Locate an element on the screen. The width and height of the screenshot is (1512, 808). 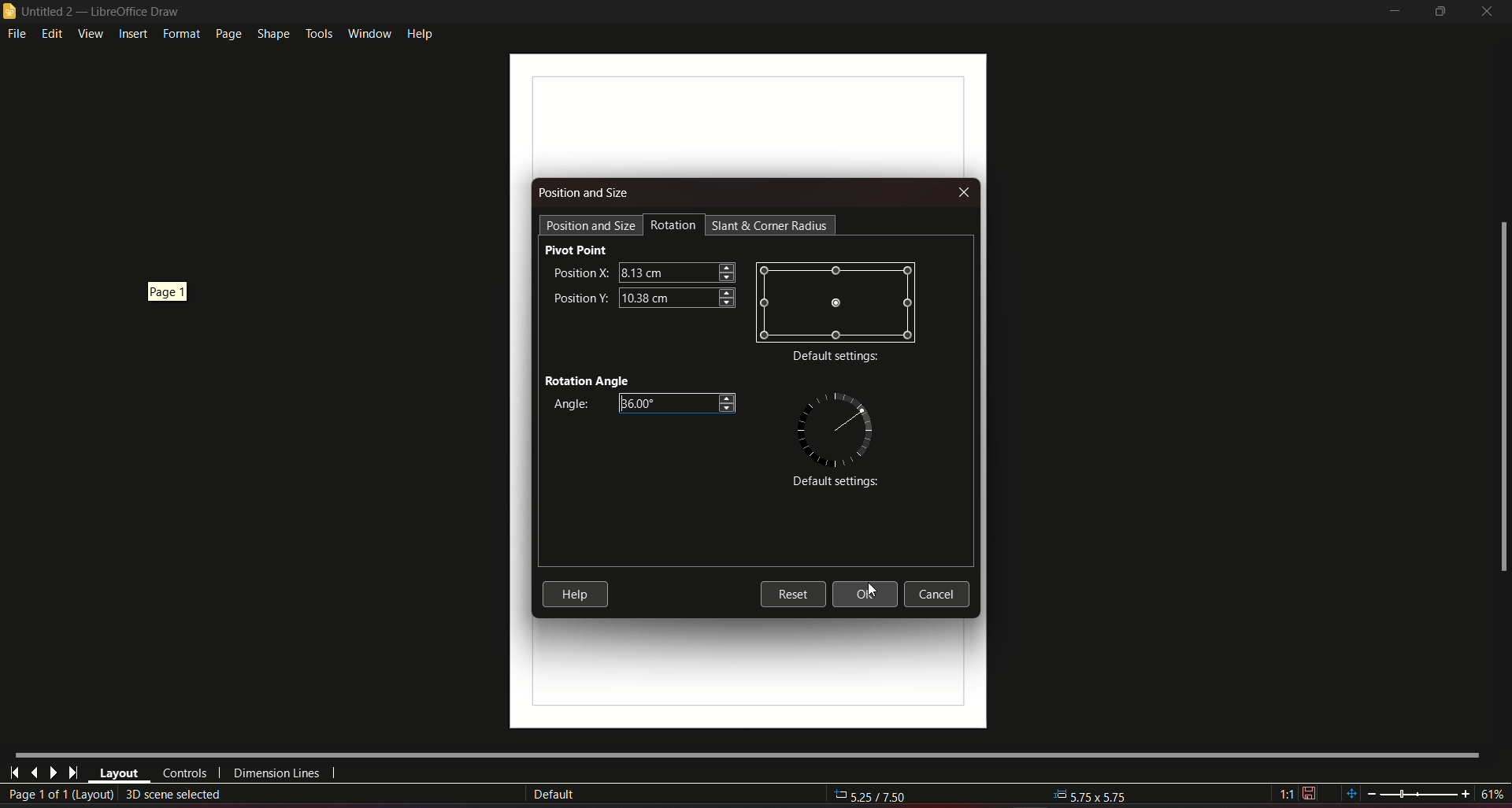
page is located at coordinates (227, 34).